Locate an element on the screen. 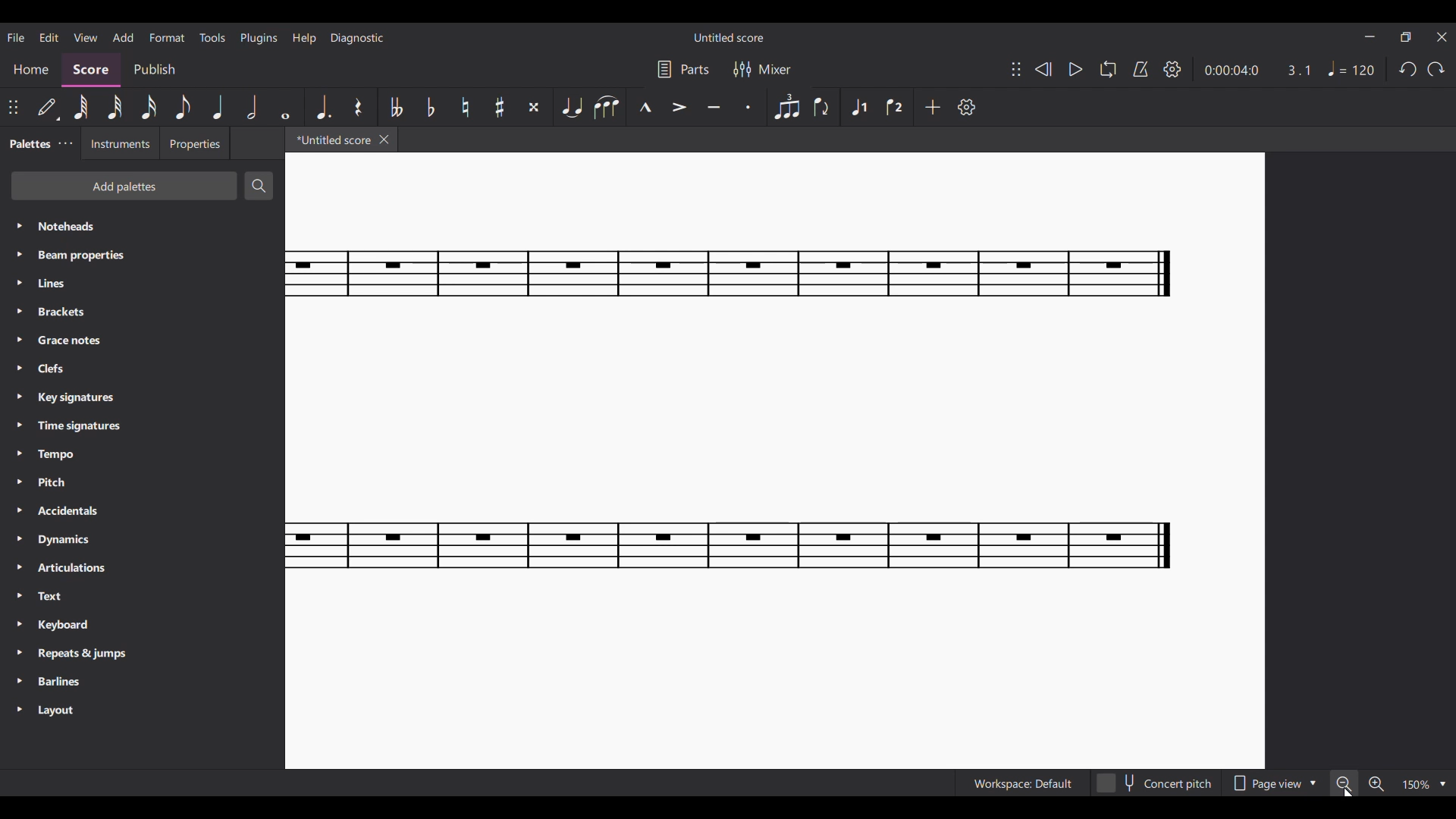 Image resolution: width=1456 pixels, height=819 pixels. Change position  is located at coordinates (13, 107).